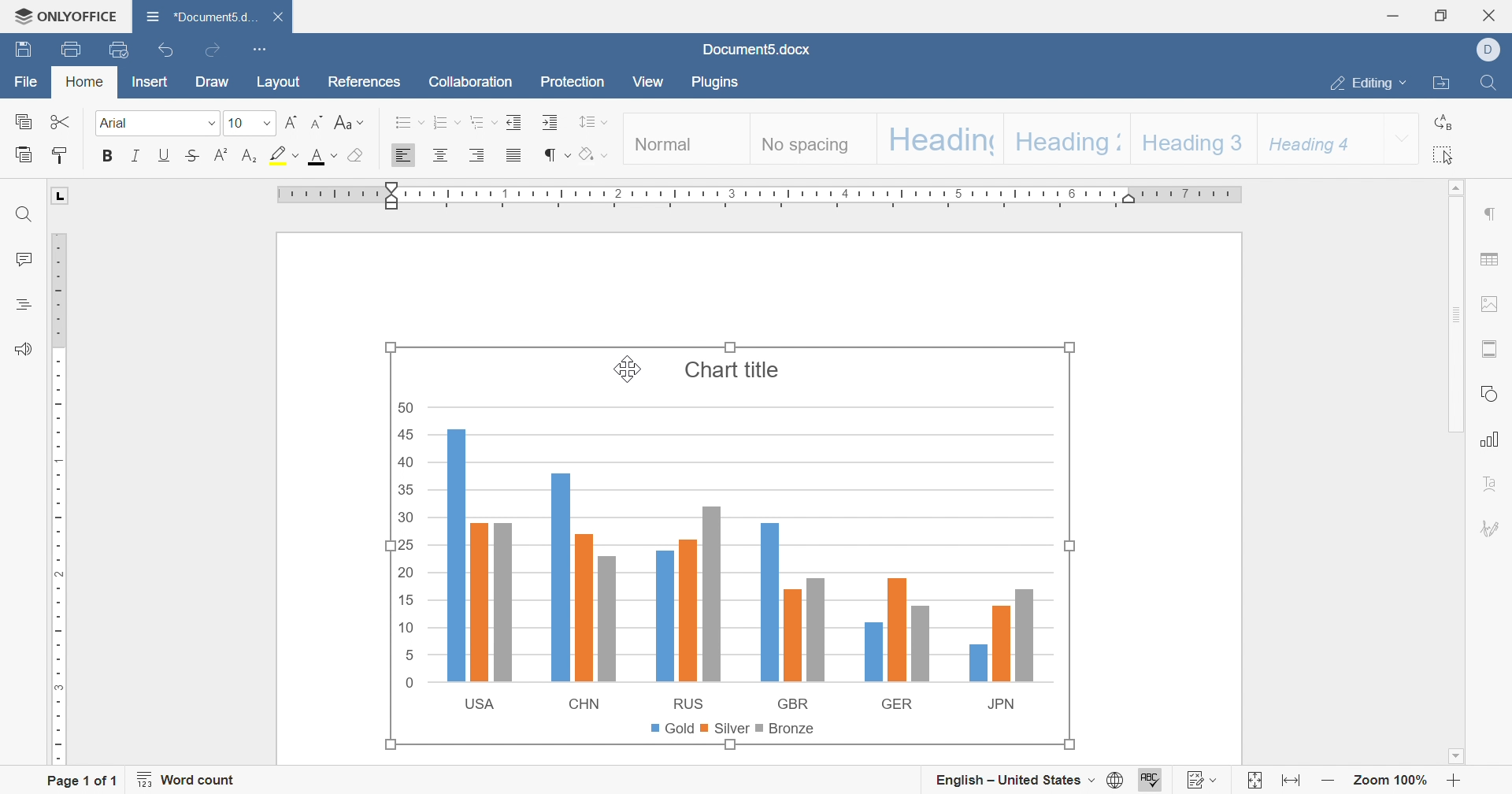 Image resolution: width=1512 pixels, height=794 pixels. I want to click on quick print, so click(118, 49).